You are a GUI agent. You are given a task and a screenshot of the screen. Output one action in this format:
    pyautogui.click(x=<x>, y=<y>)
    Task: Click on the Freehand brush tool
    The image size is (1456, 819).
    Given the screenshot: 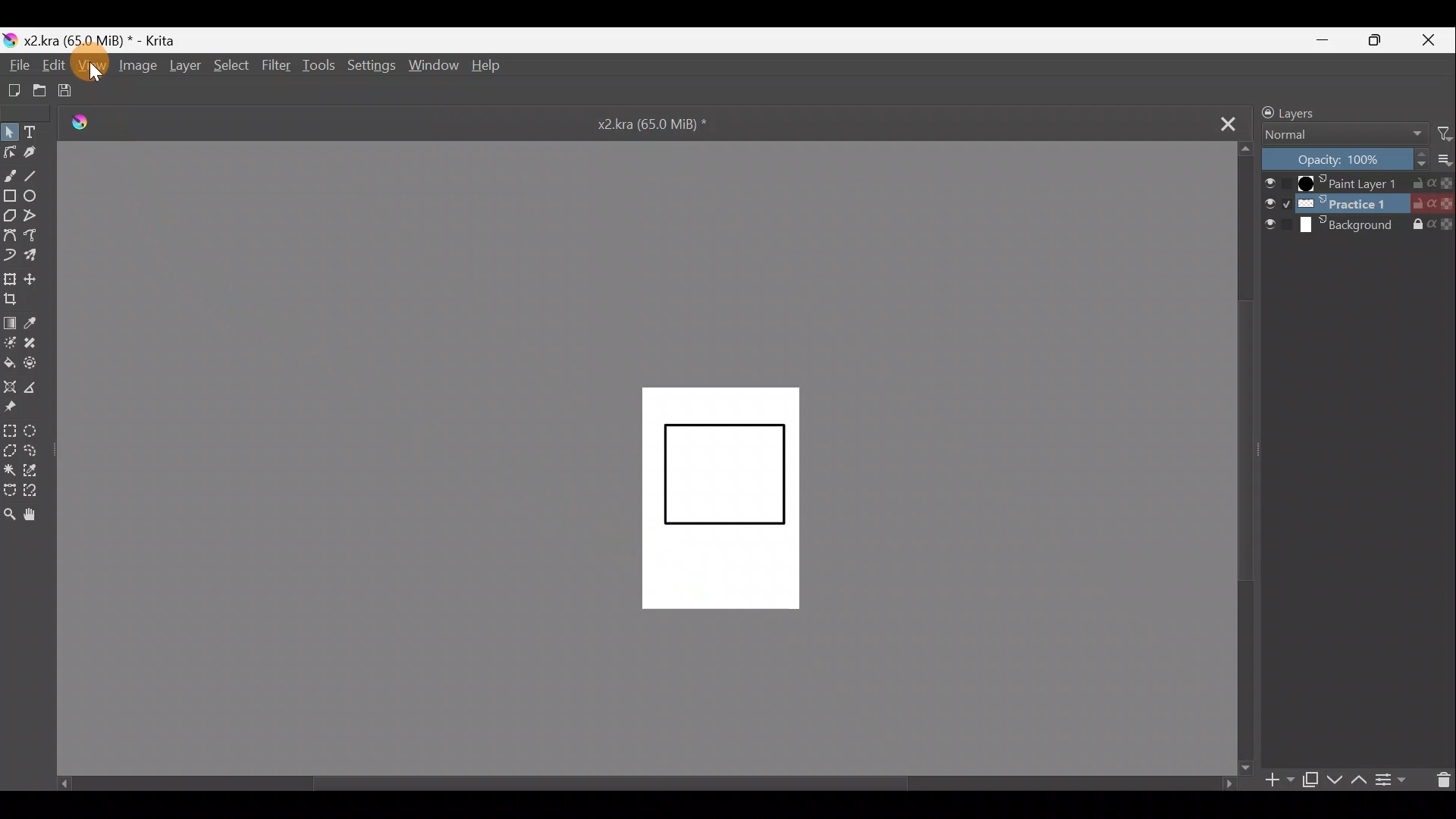 What is the action you would take?
    pyautogui.click(x=9, y=175)
    